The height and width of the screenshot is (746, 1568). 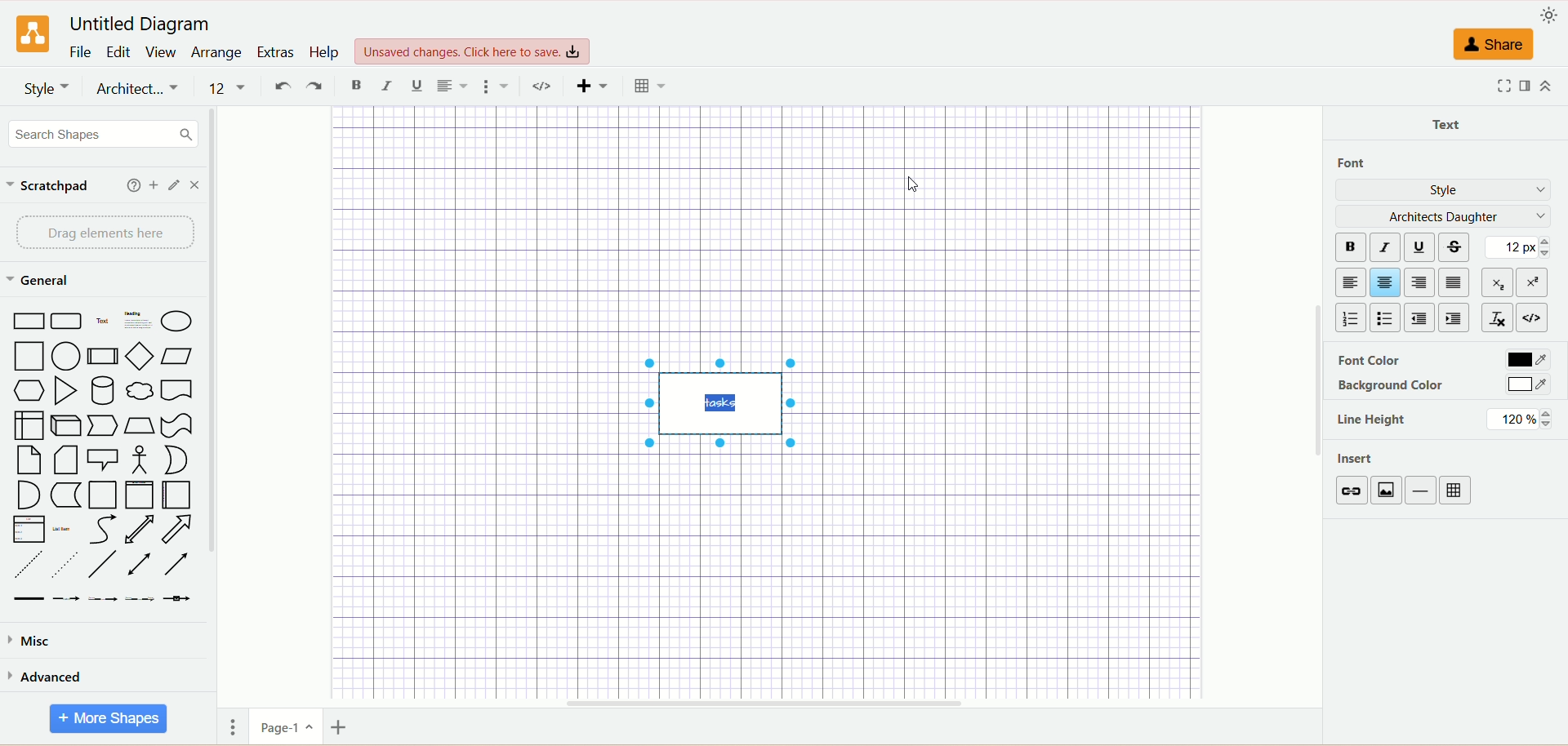 What do you see at coordinates (61, 531) in the screenshot?
I see `List Item` at bounding box center [61, 531].